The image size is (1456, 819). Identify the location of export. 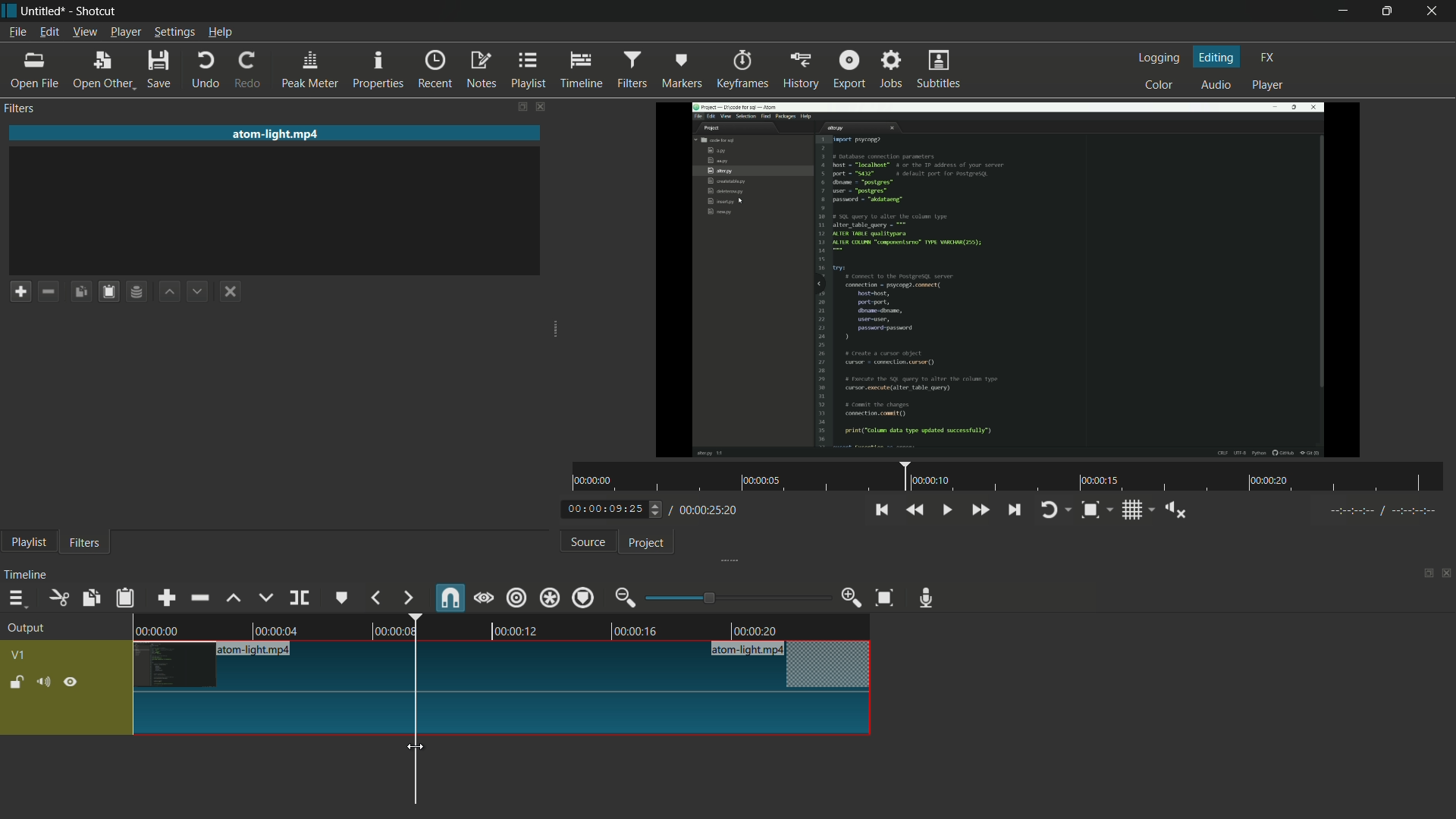
(849, 67).